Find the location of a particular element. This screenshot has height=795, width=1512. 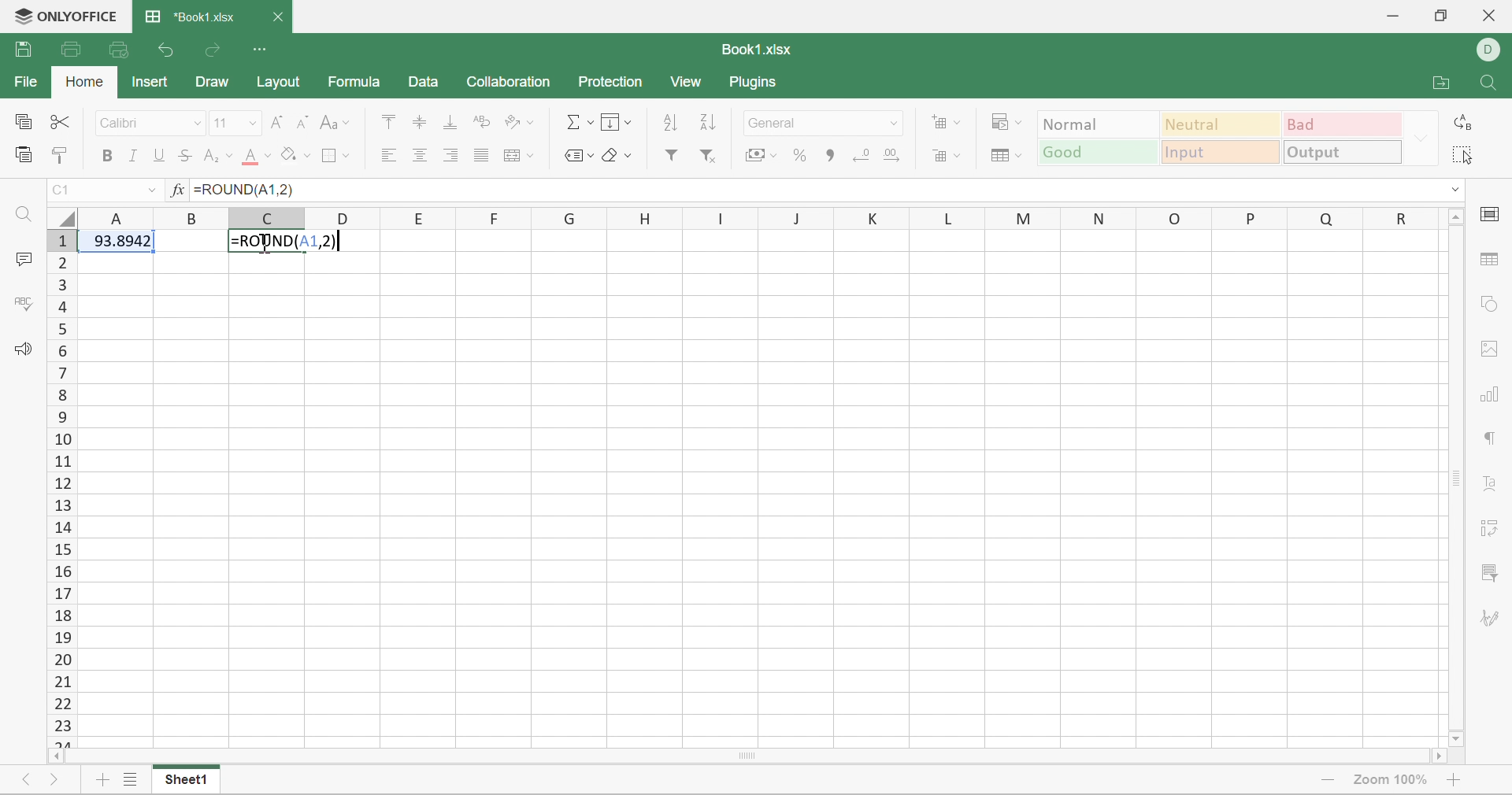

Font color is located at coordinates (256, 157).